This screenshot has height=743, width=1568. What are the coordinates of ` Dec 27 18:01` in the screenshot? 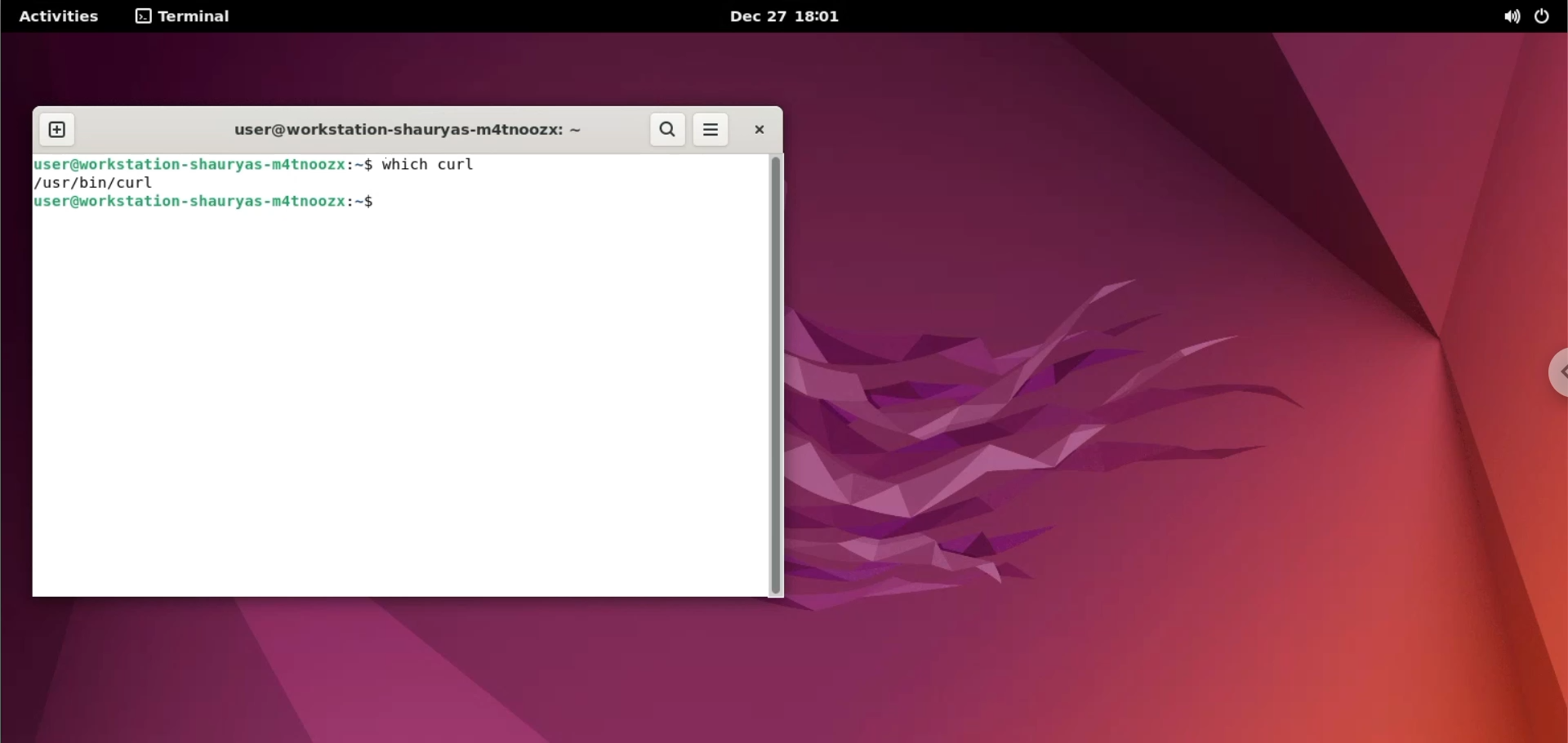 It's located at (787, 16).